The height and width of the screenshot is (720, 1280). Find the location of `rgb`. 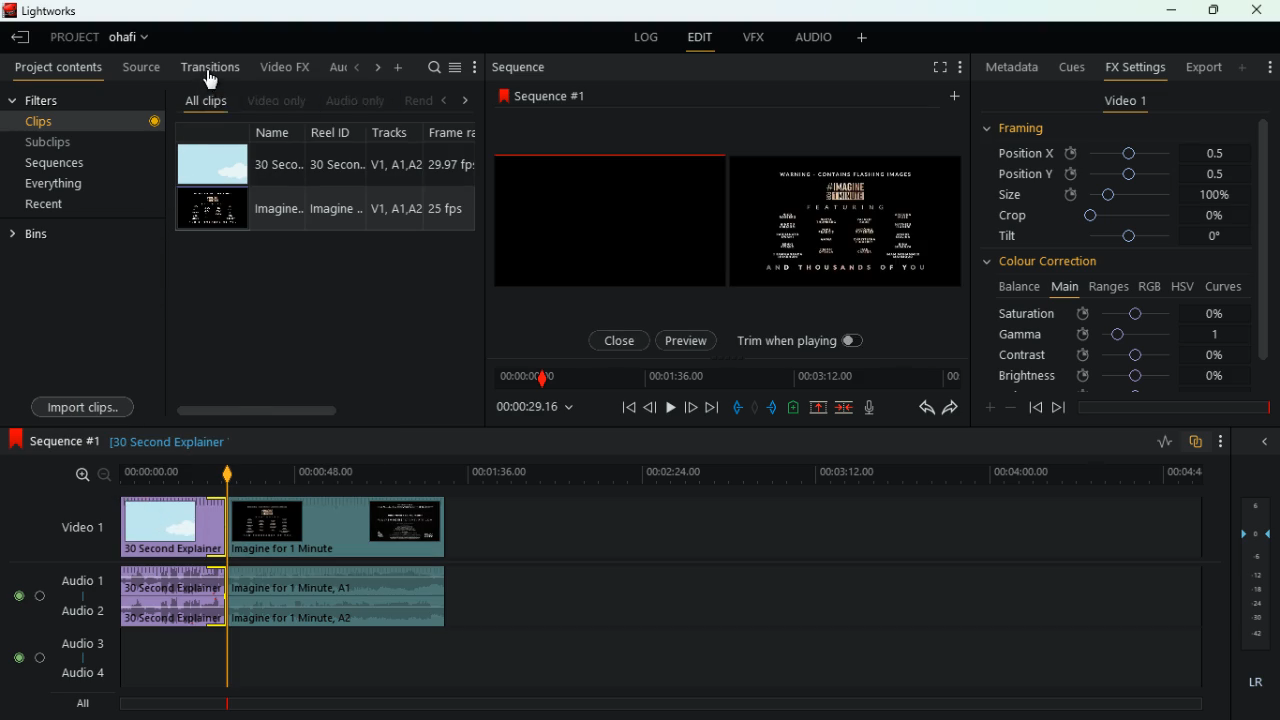

rgb is located at coordinates (1150, 285).